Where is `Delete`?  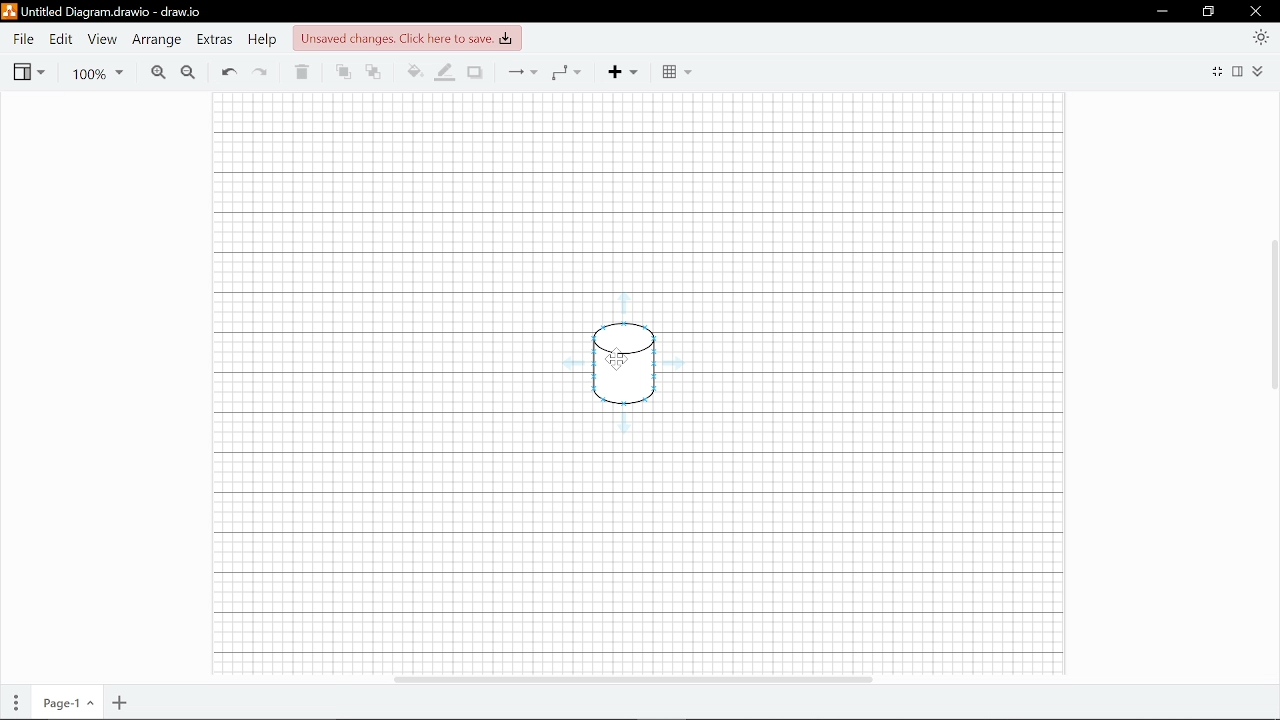
Delete is located at coordinates (301, 73).